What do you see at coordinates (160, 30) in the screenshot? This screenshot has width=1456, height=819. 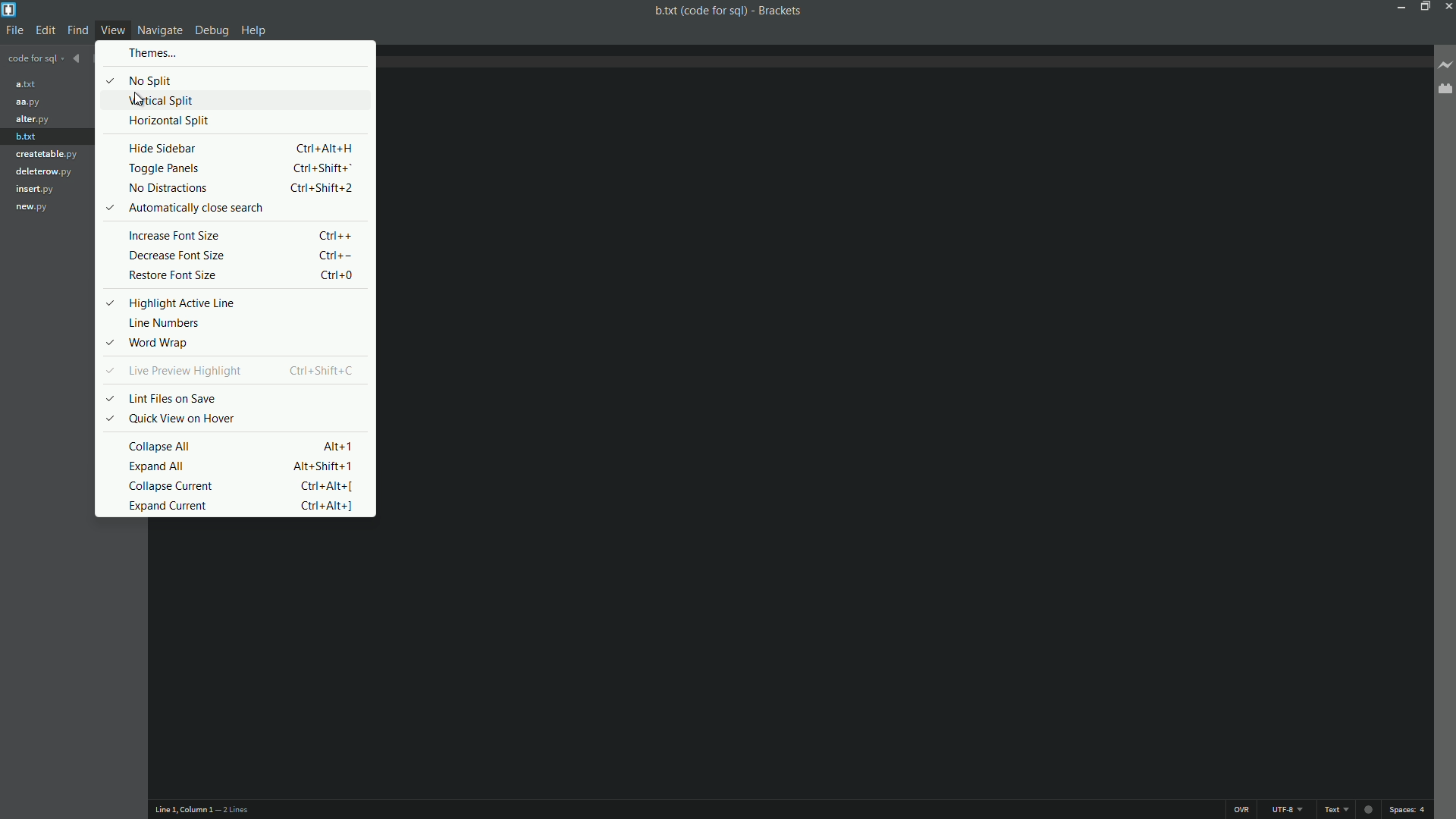 I see `Navigate menu` at bounding box center [160, 30].